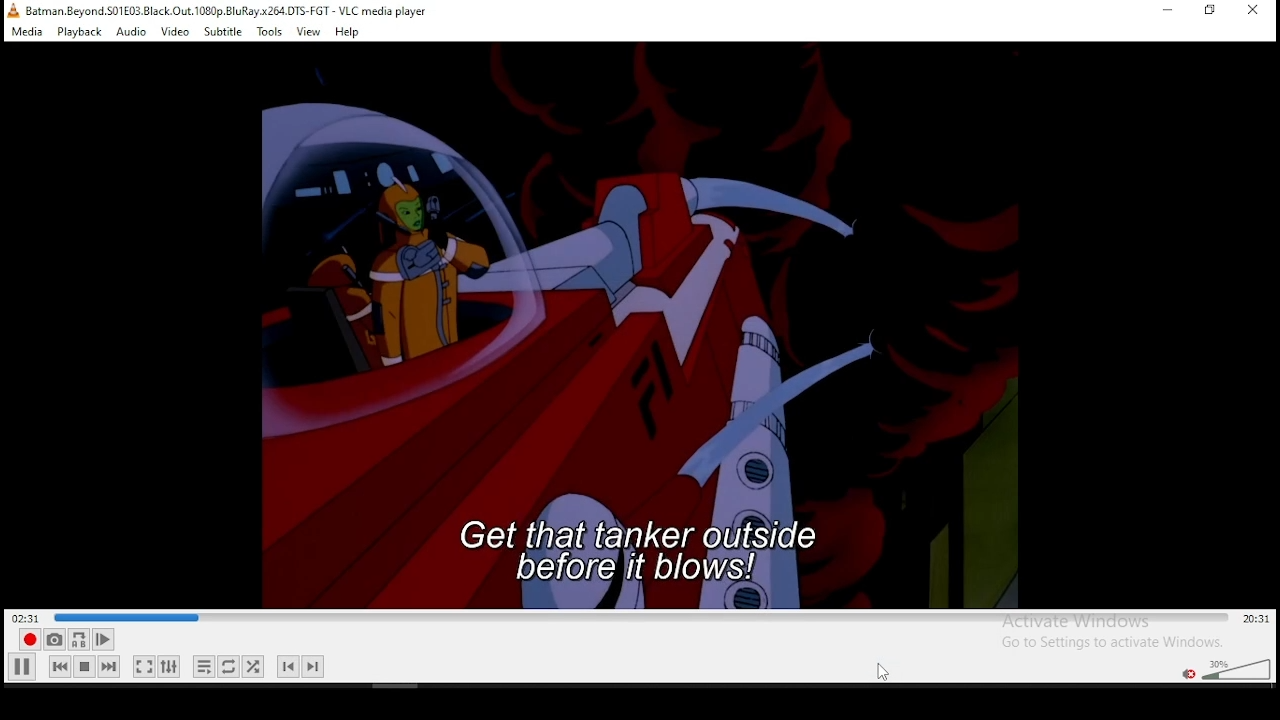 This screenshot has width=1280, height=720. What do you see at coordinates (270, 33) in the screenshot?
I see `tools` at bounding box center [270, 33].